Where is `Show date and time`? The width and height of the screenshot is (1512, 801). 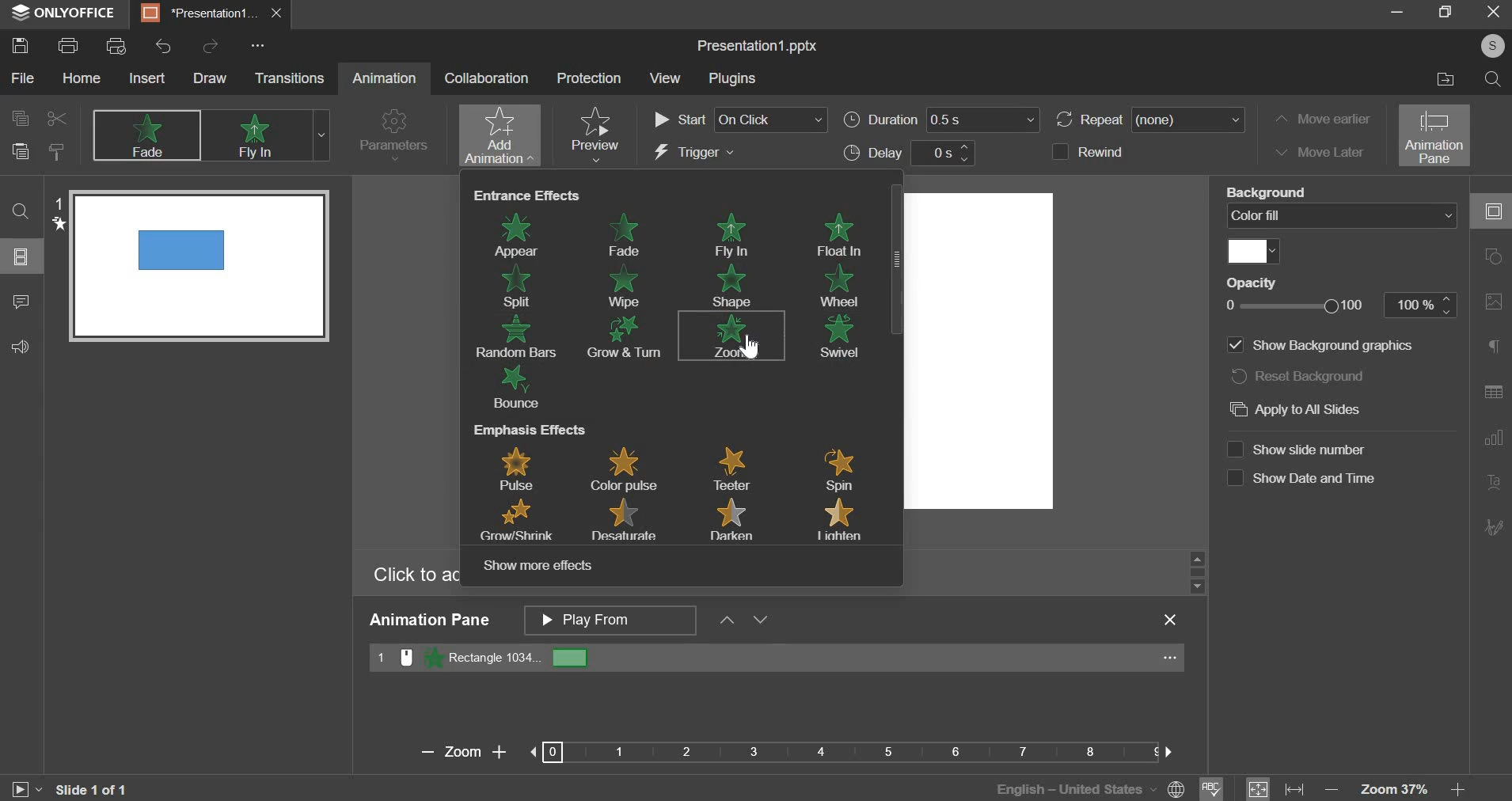
Show date and time is located at coordinates (1303, 477).